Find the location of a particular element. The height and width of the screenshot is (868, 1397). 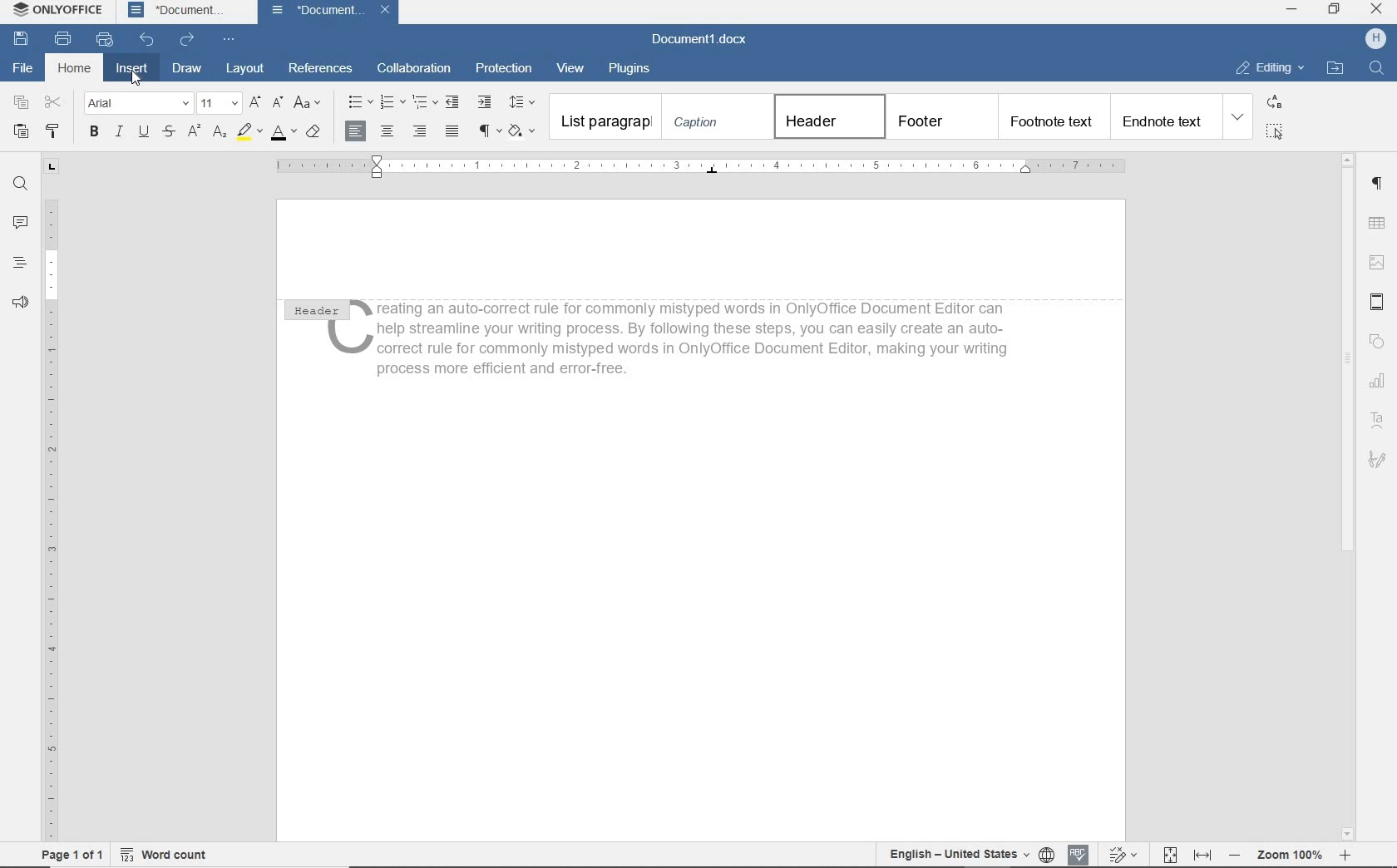

Zoom is located at coordinates (1287, 856).